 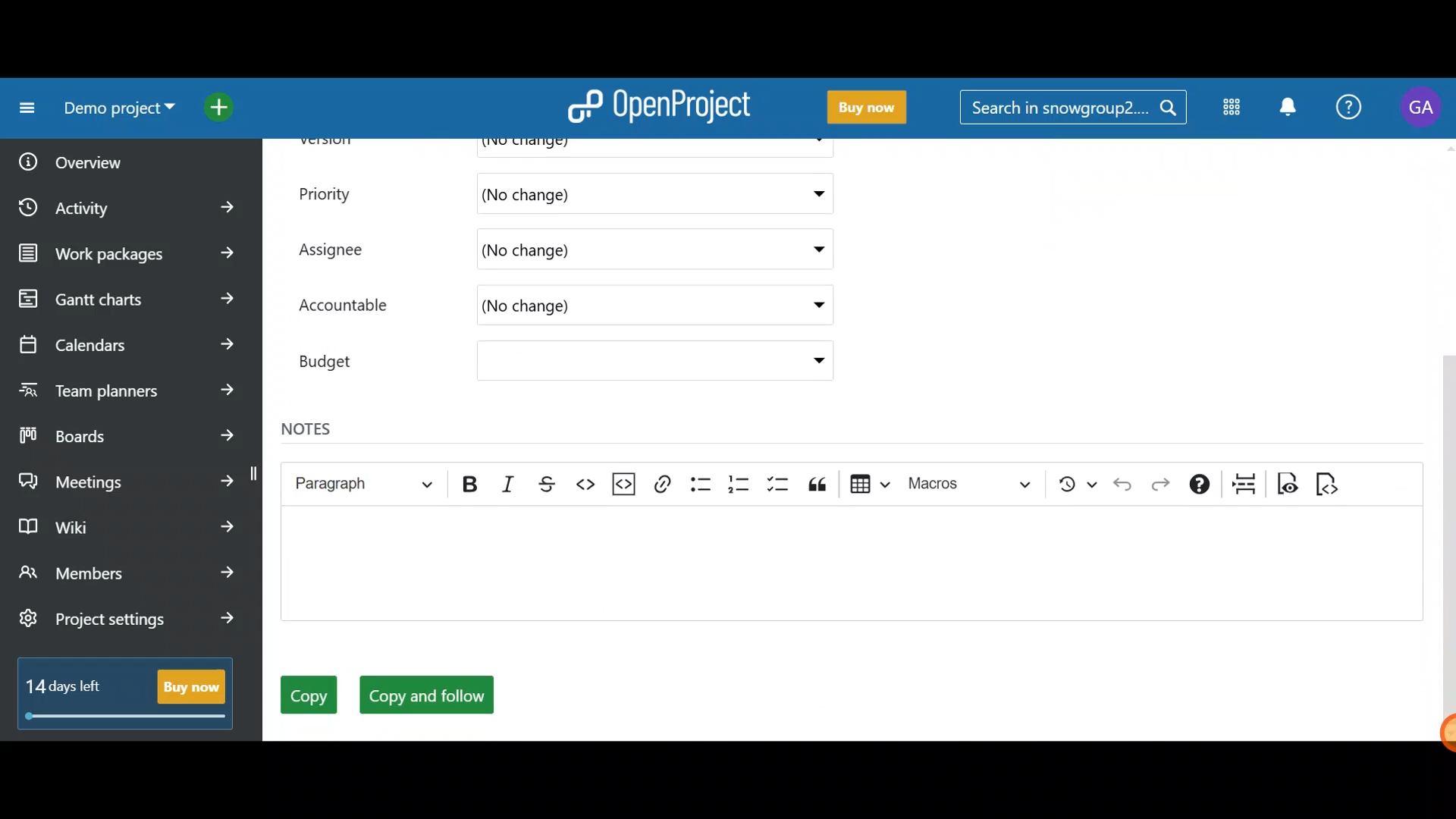 I want to click on Overview, so click(x=115, y=157).